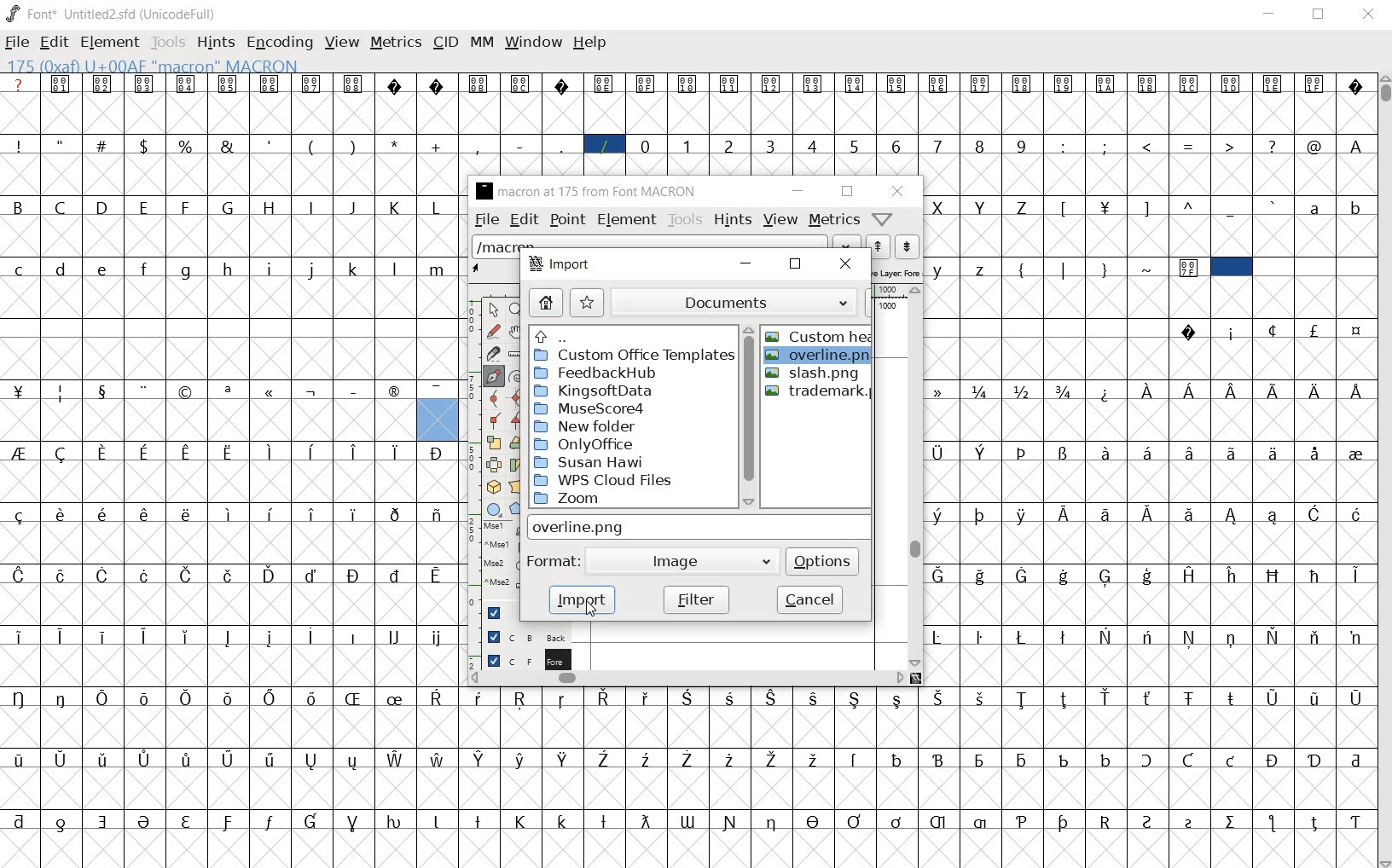 The height and width of the screenshot is (868, 1392). I want to click on Symbol, so click(1022, 83).